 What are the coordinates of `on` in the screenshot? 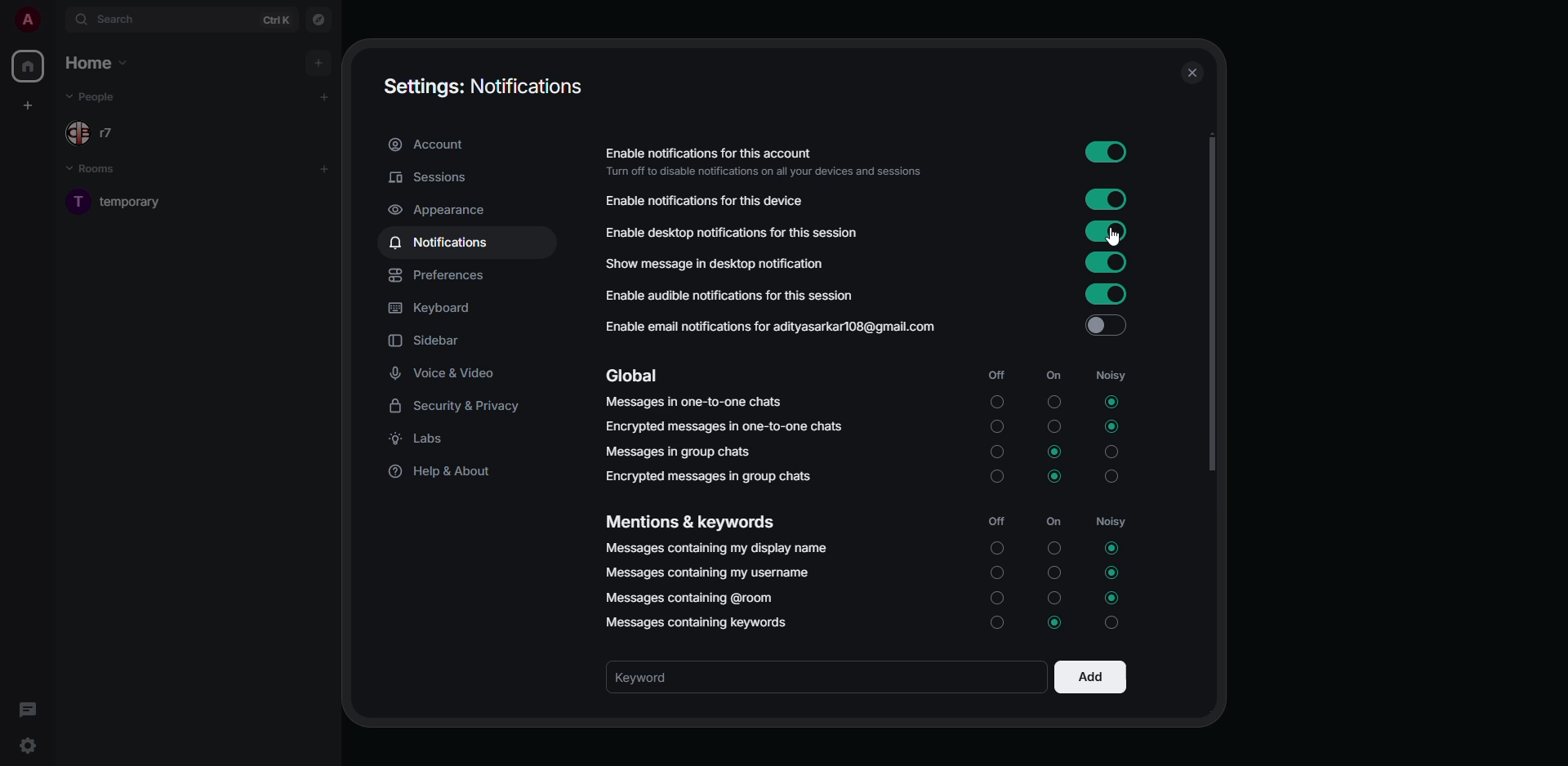 It's located at (1059, 520).